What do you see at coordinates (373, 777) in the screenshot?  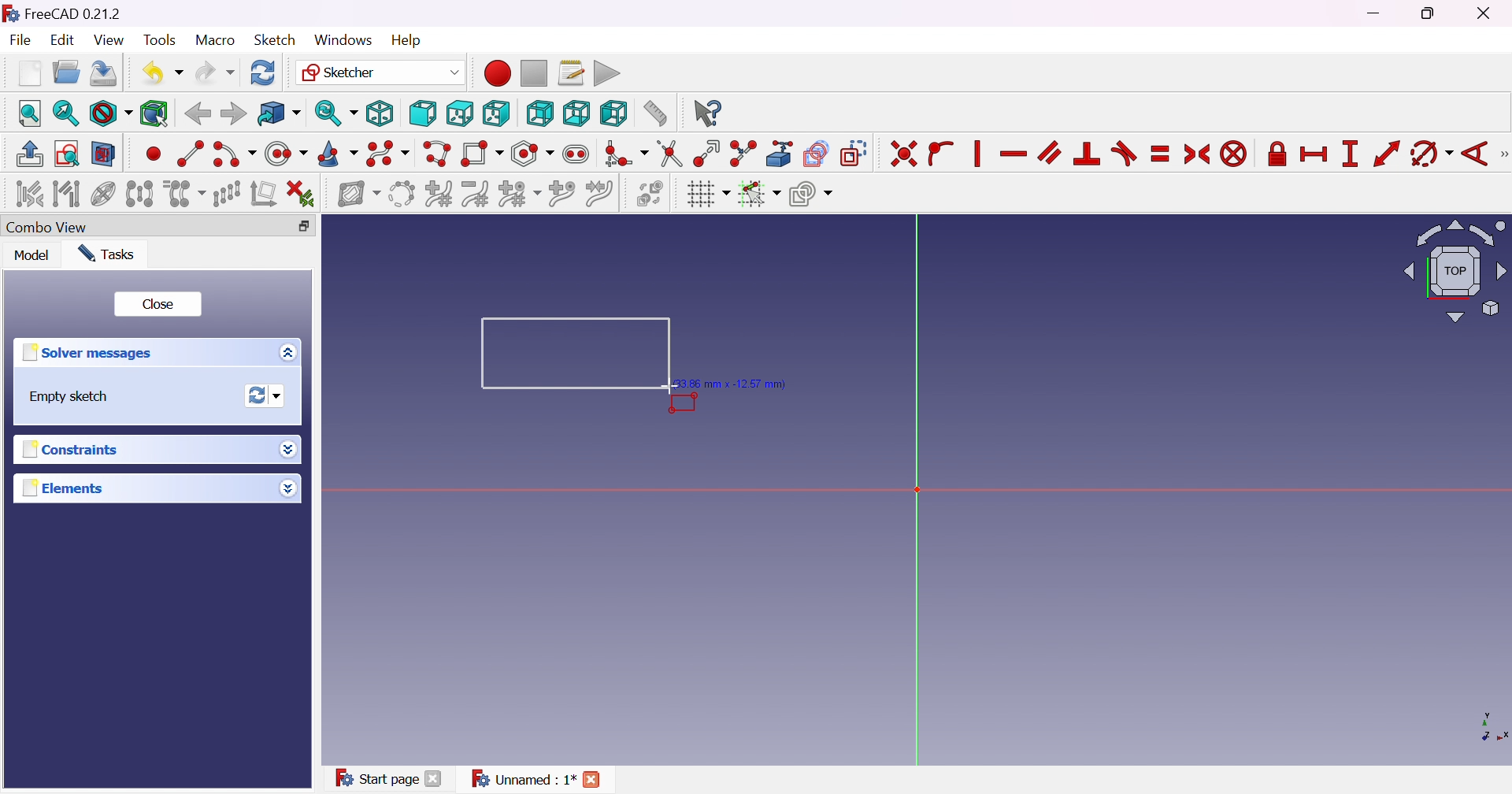 I see `Start page` at bounding box center [373, 777].